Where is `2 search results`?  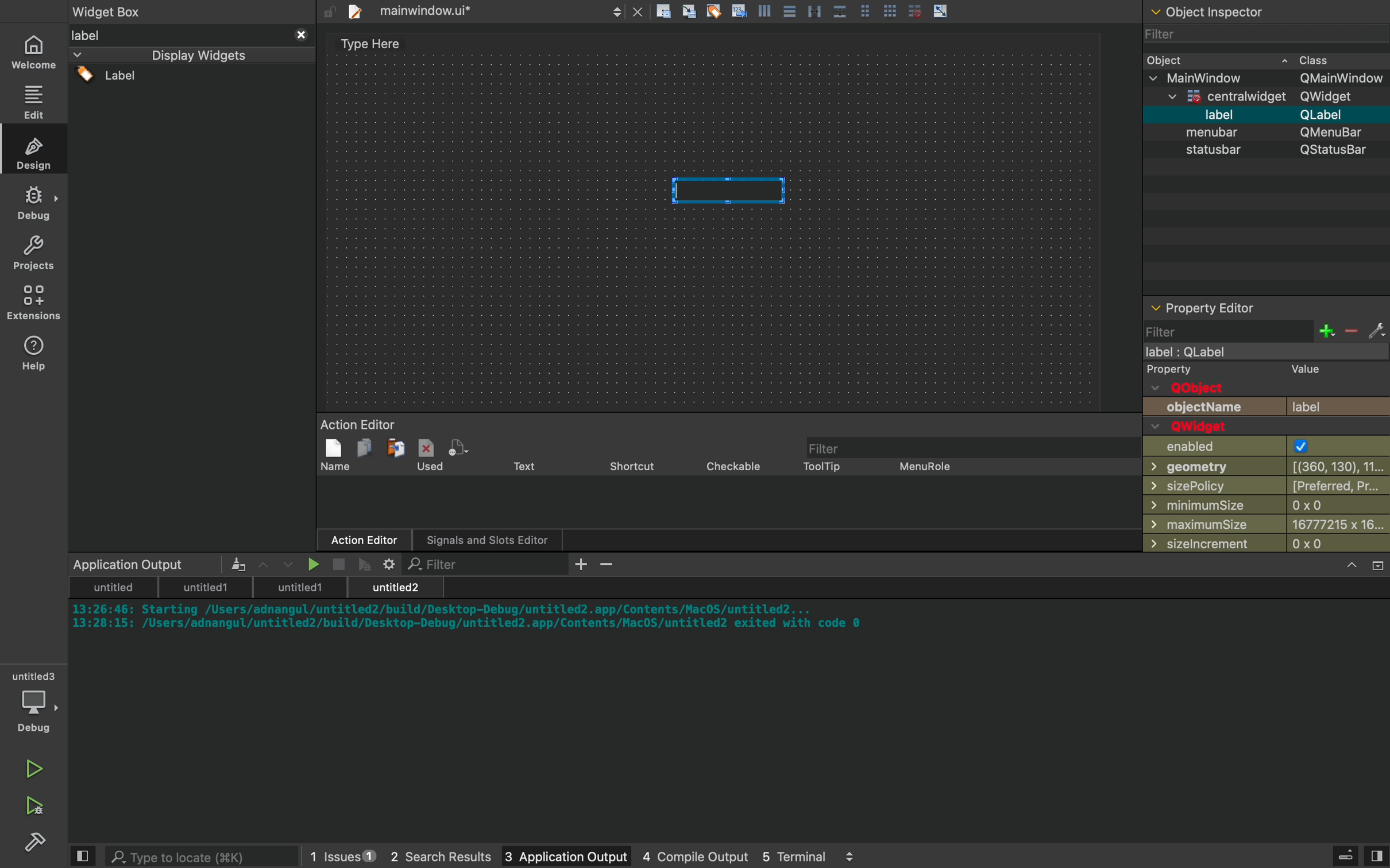
2 search results is located at coordinates (428, 857).